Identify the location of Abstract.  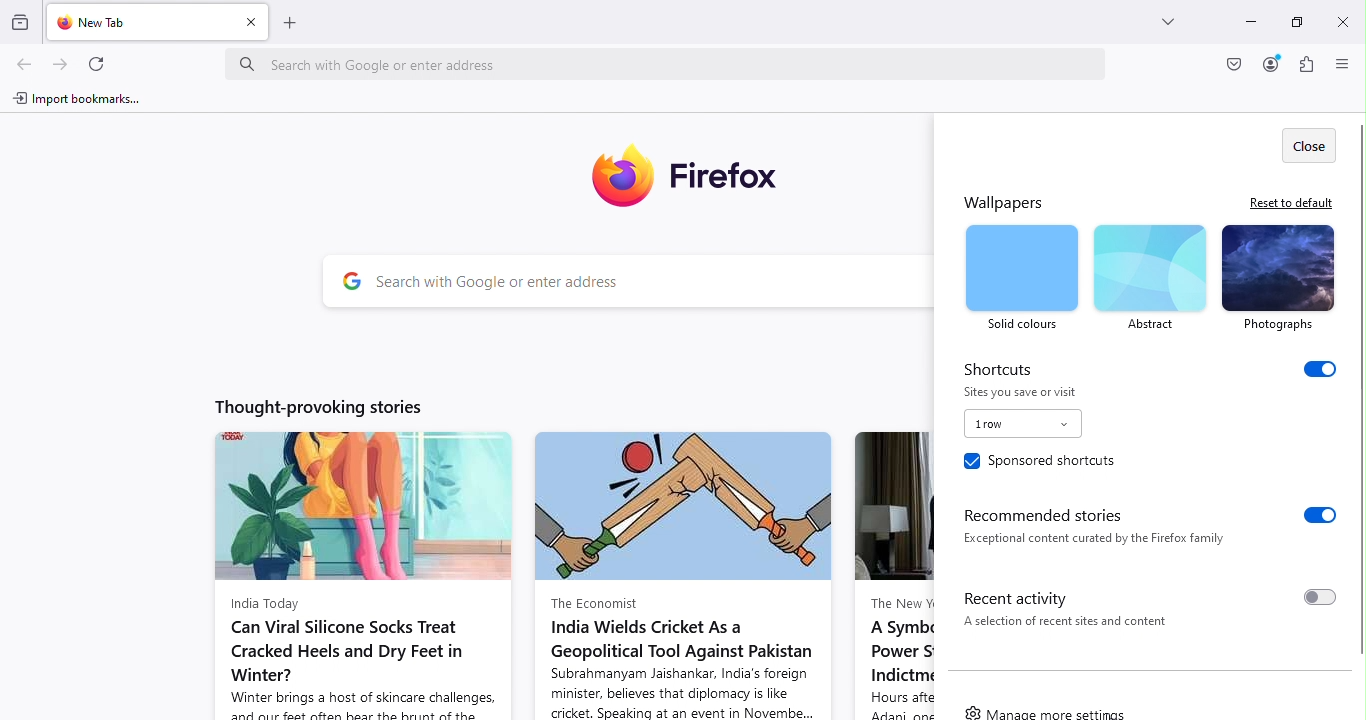
(1147, 277).